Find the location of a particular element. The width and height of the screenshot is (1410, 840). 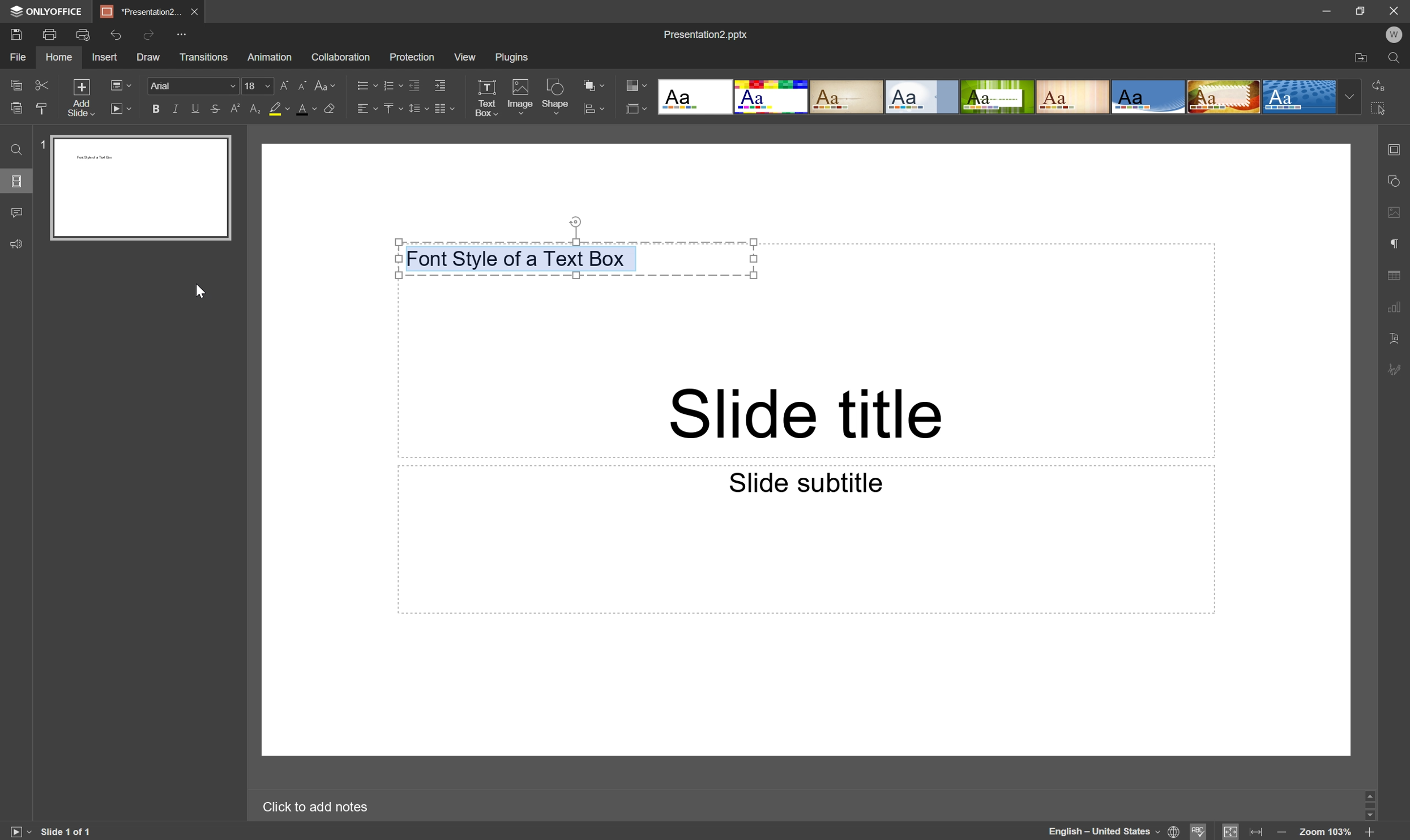

Protection is located at coordinates (412, 57).